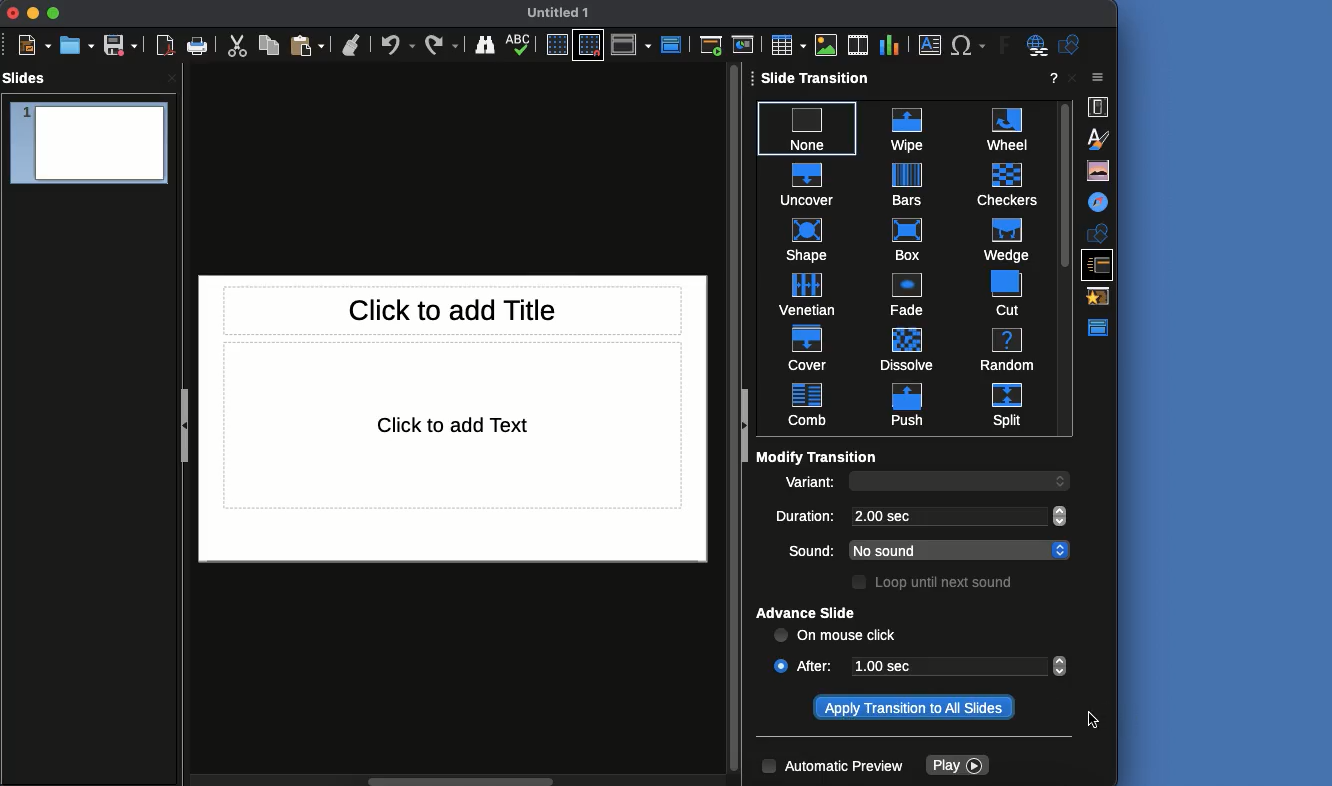 Image resolution: width=1332 pixels, height=786 pixels. I want to click on After, so click(819, 665).